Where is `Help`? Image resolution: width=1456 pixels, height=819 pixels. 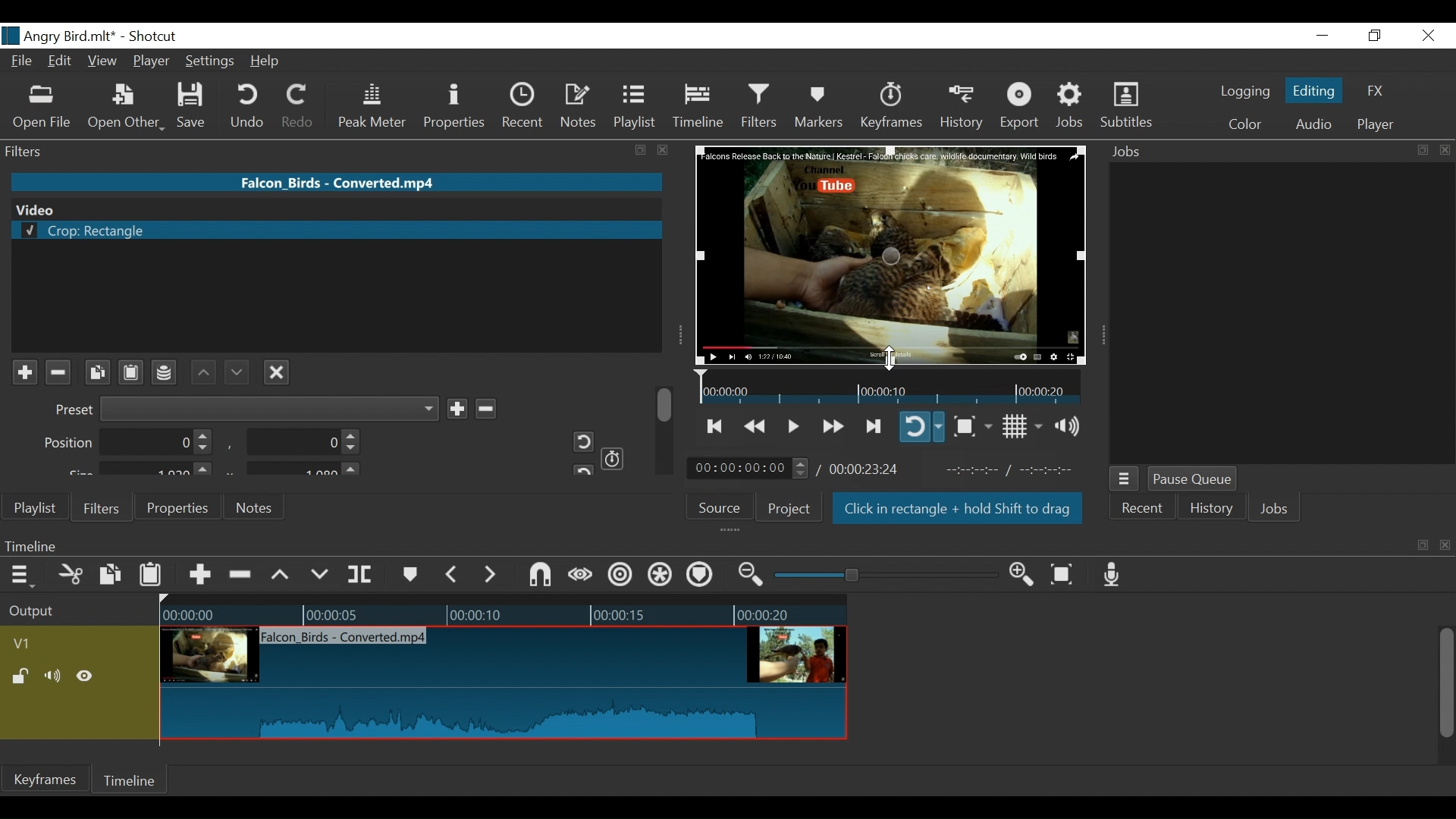
Help is located at coordinates (270, 61).